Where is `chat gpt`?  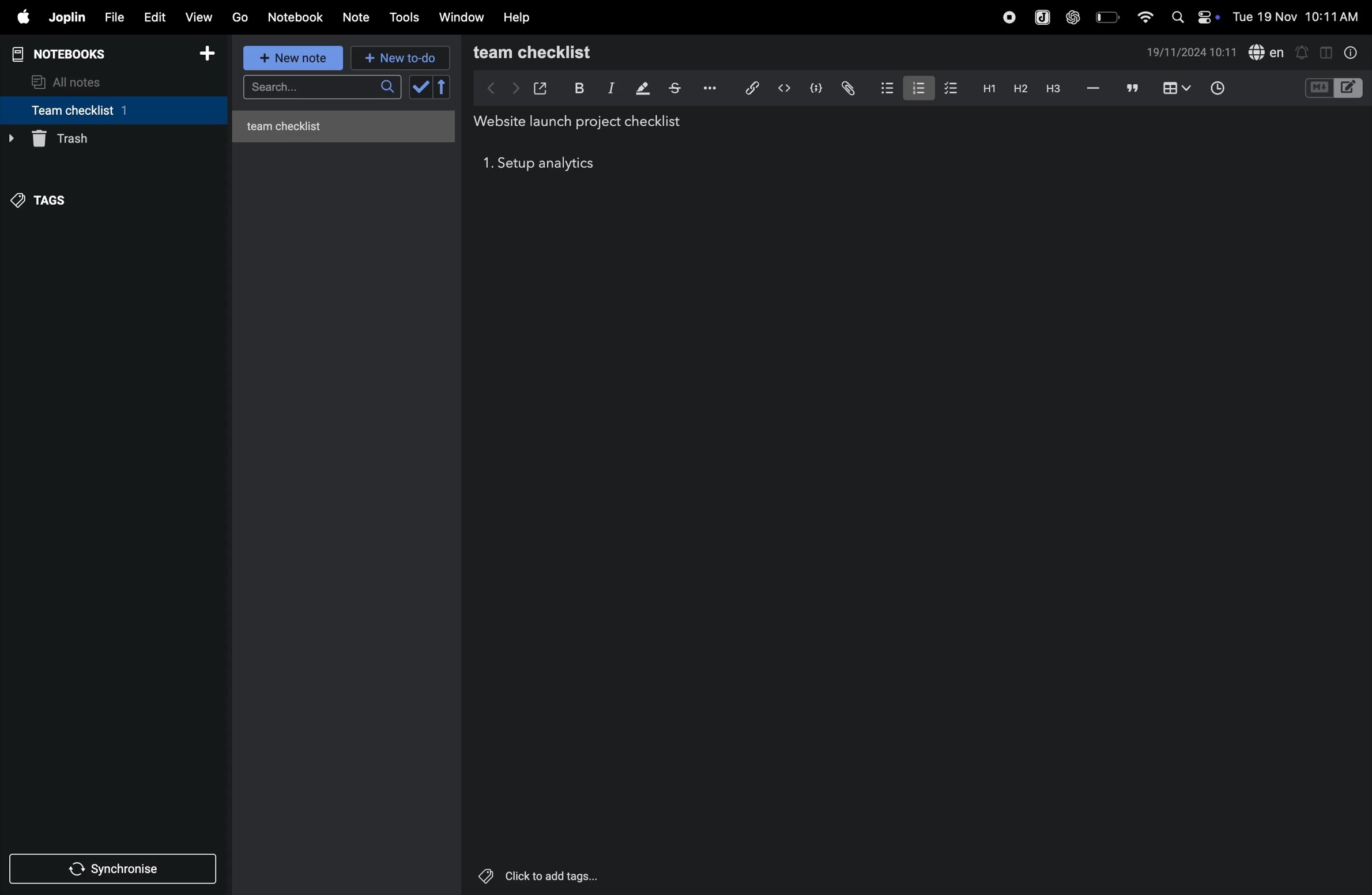
chat gpt is located at coordinates (1071, 17).